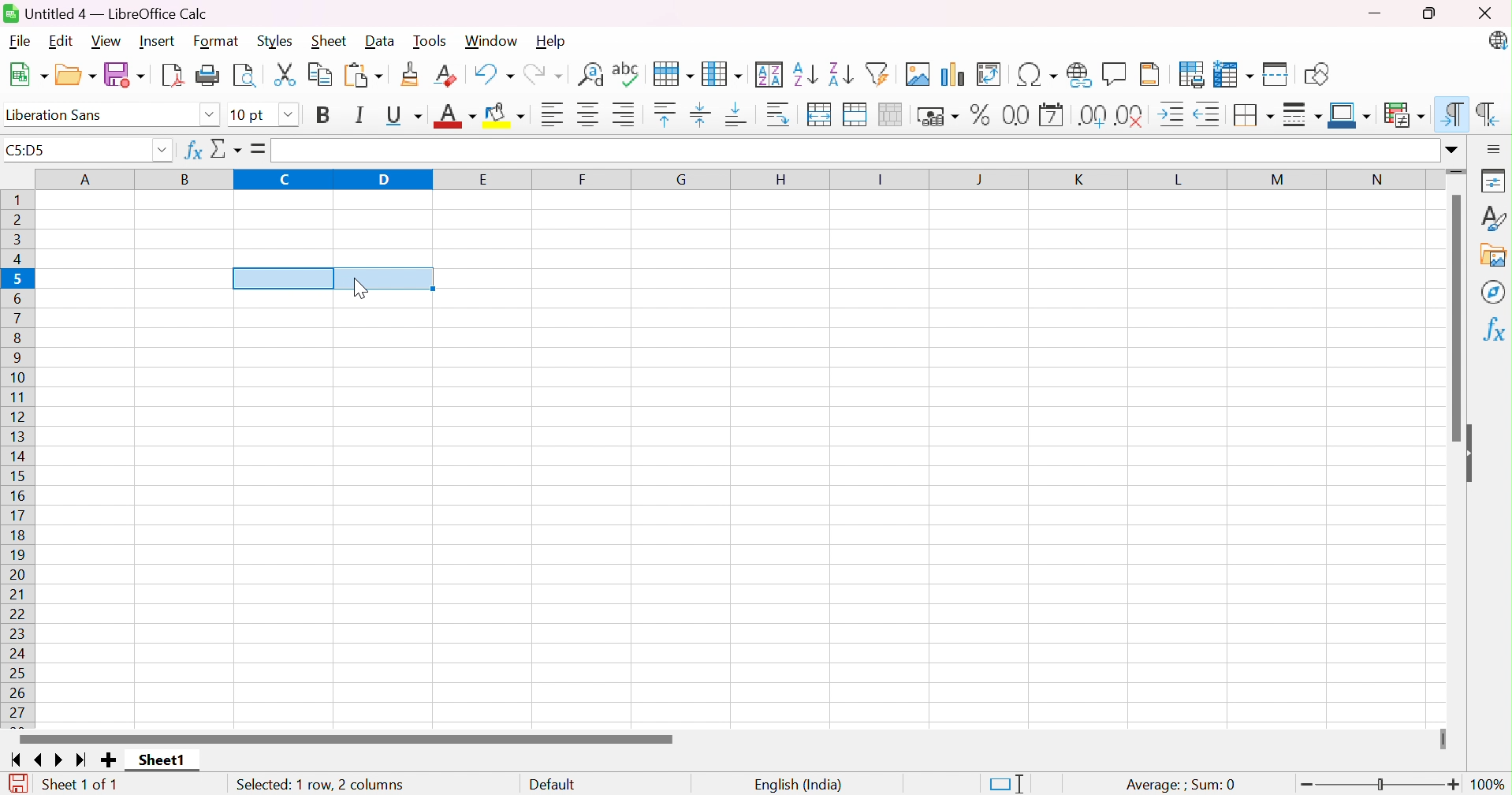 The image size is (1512, 795). Describe the element at coordinates (1015, 114) in the screenshot. I see `Format as Number` at that location.